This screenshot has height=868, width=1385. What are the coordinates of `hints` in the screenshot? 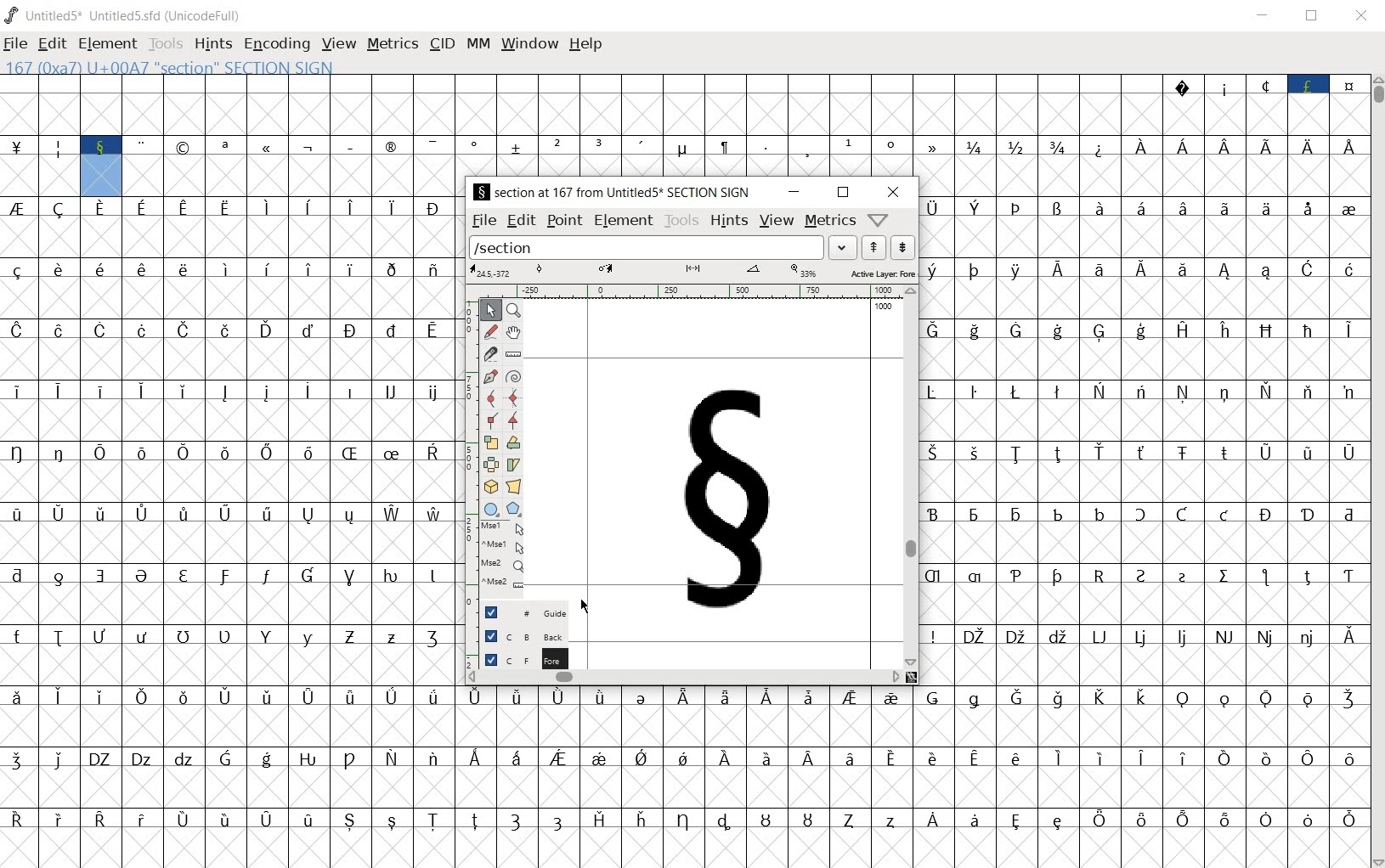 It's located at (731, 222).